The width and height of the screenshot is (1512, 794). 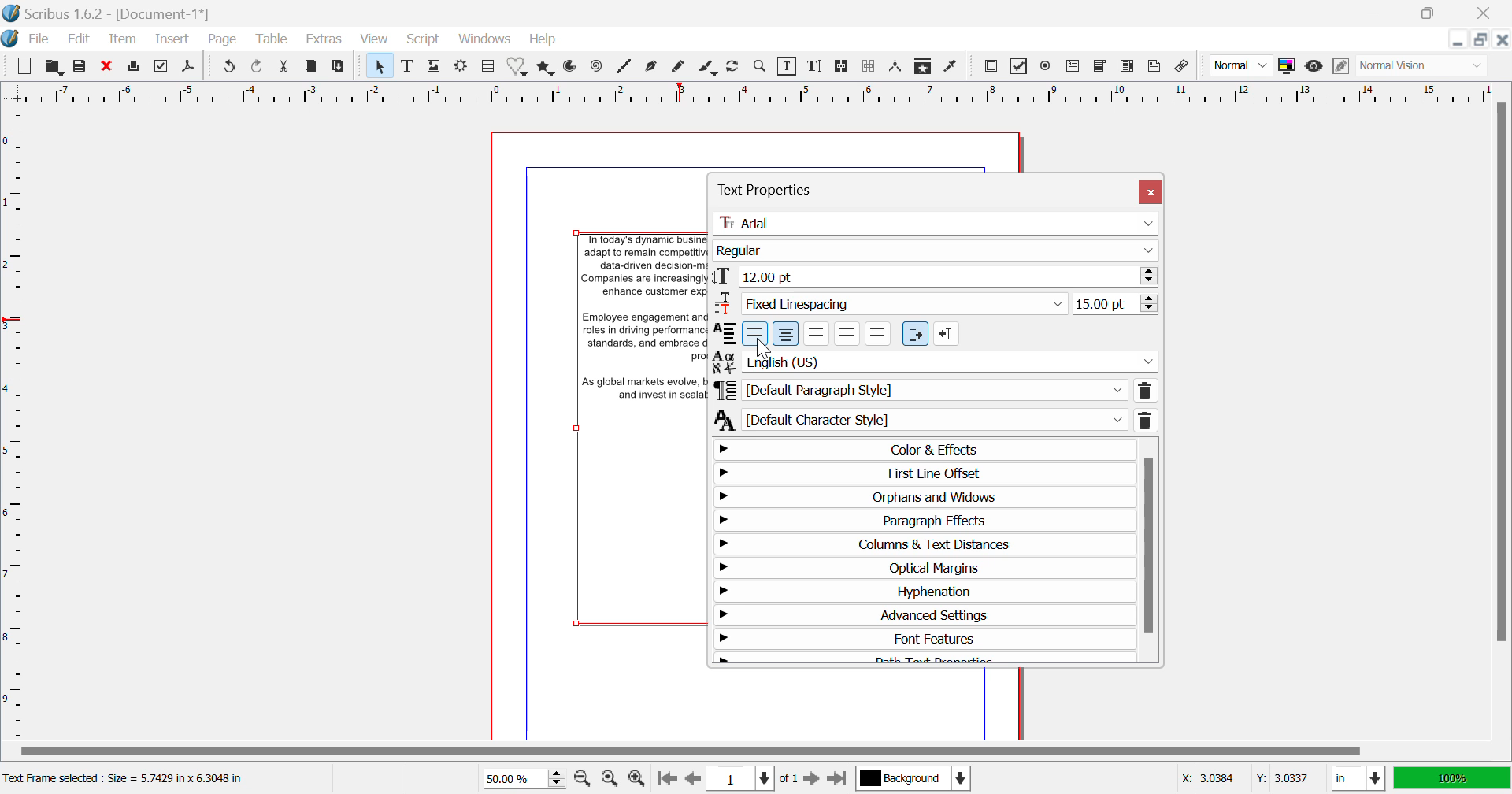 I want to click on Background, so click(x=912, y=777).